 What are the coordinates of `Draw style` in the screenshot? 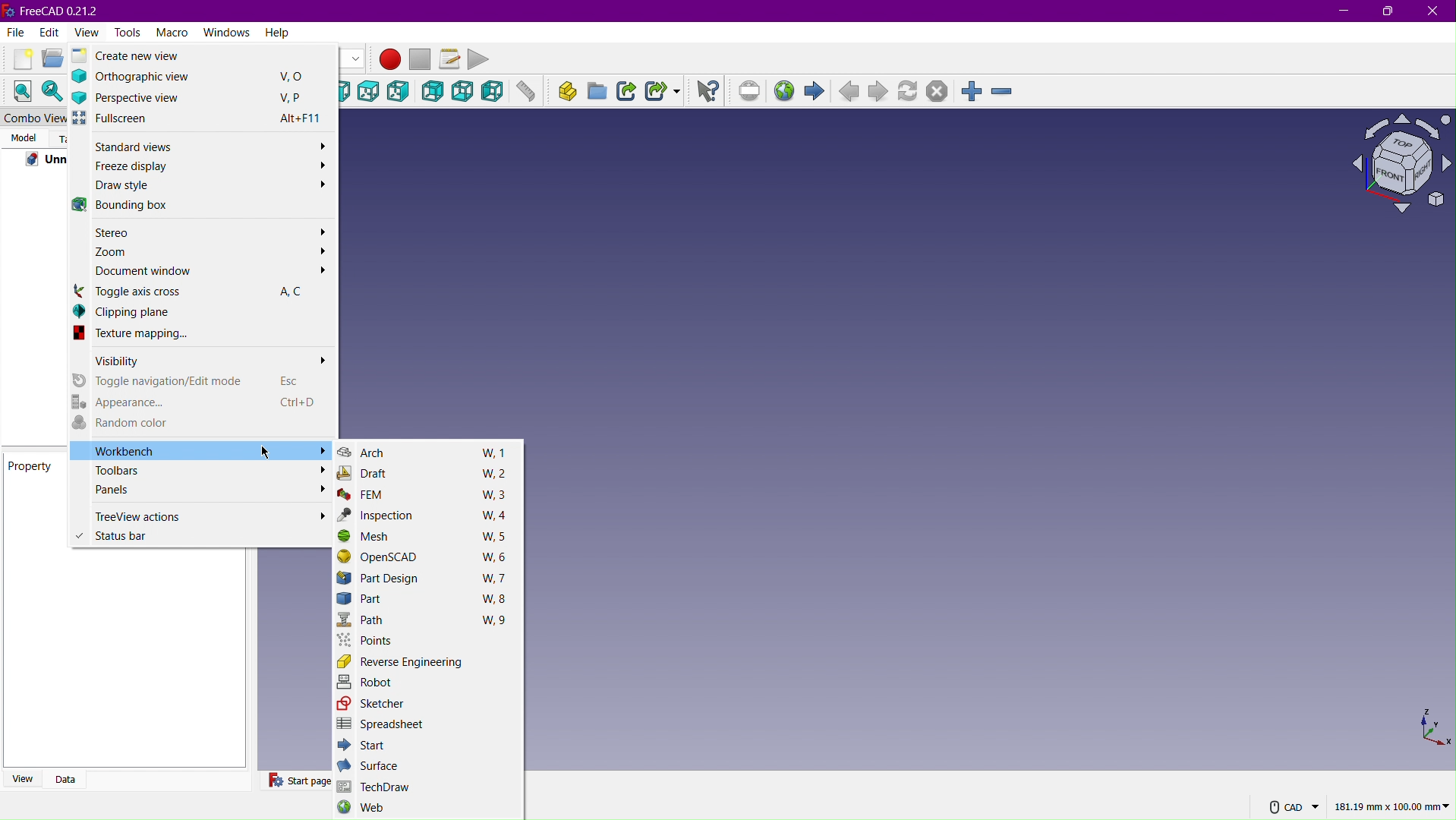 It's located at (203, 187).